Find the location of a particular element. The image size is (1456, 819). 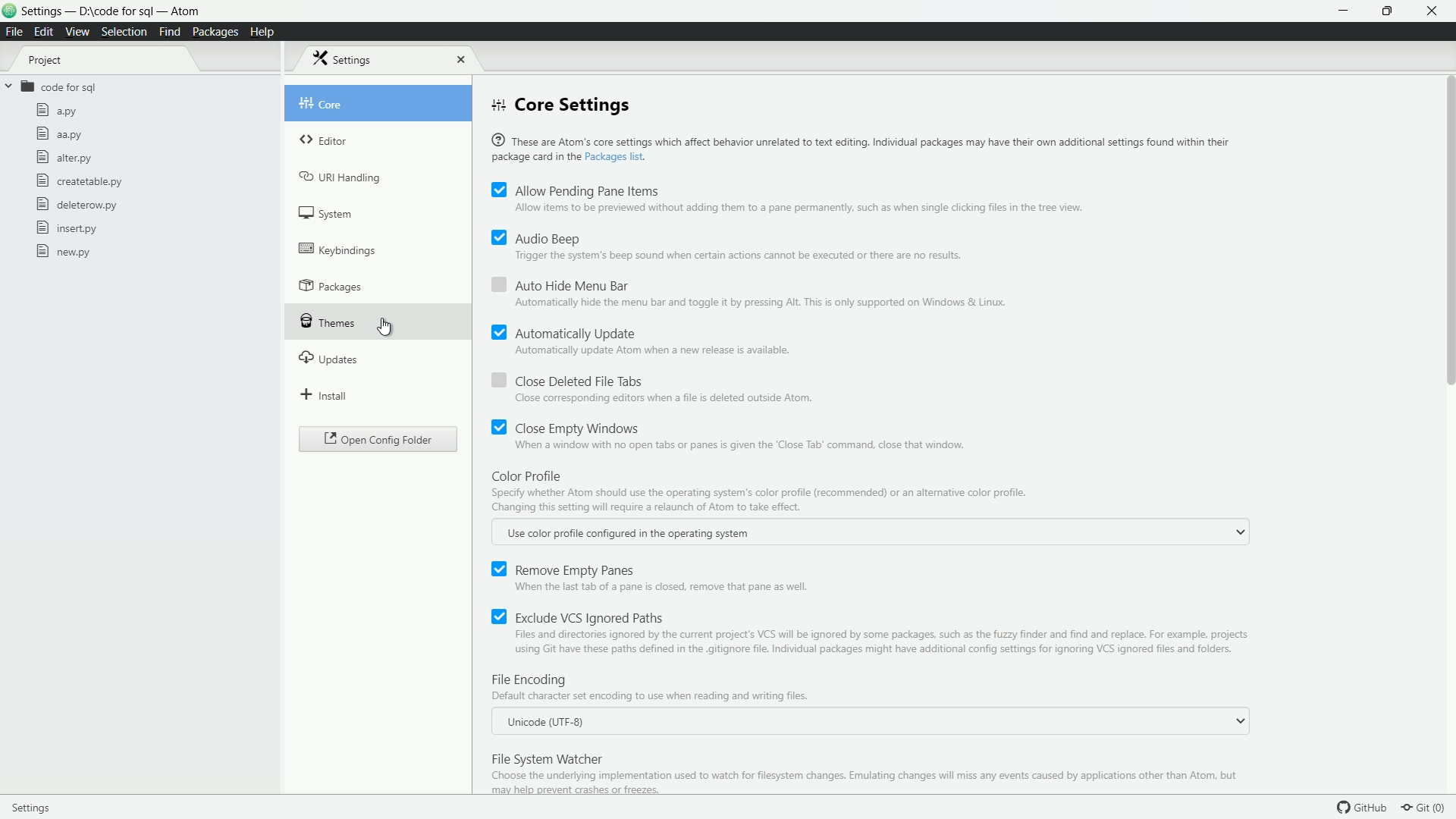

help menu is located at coordinates (261, 33).